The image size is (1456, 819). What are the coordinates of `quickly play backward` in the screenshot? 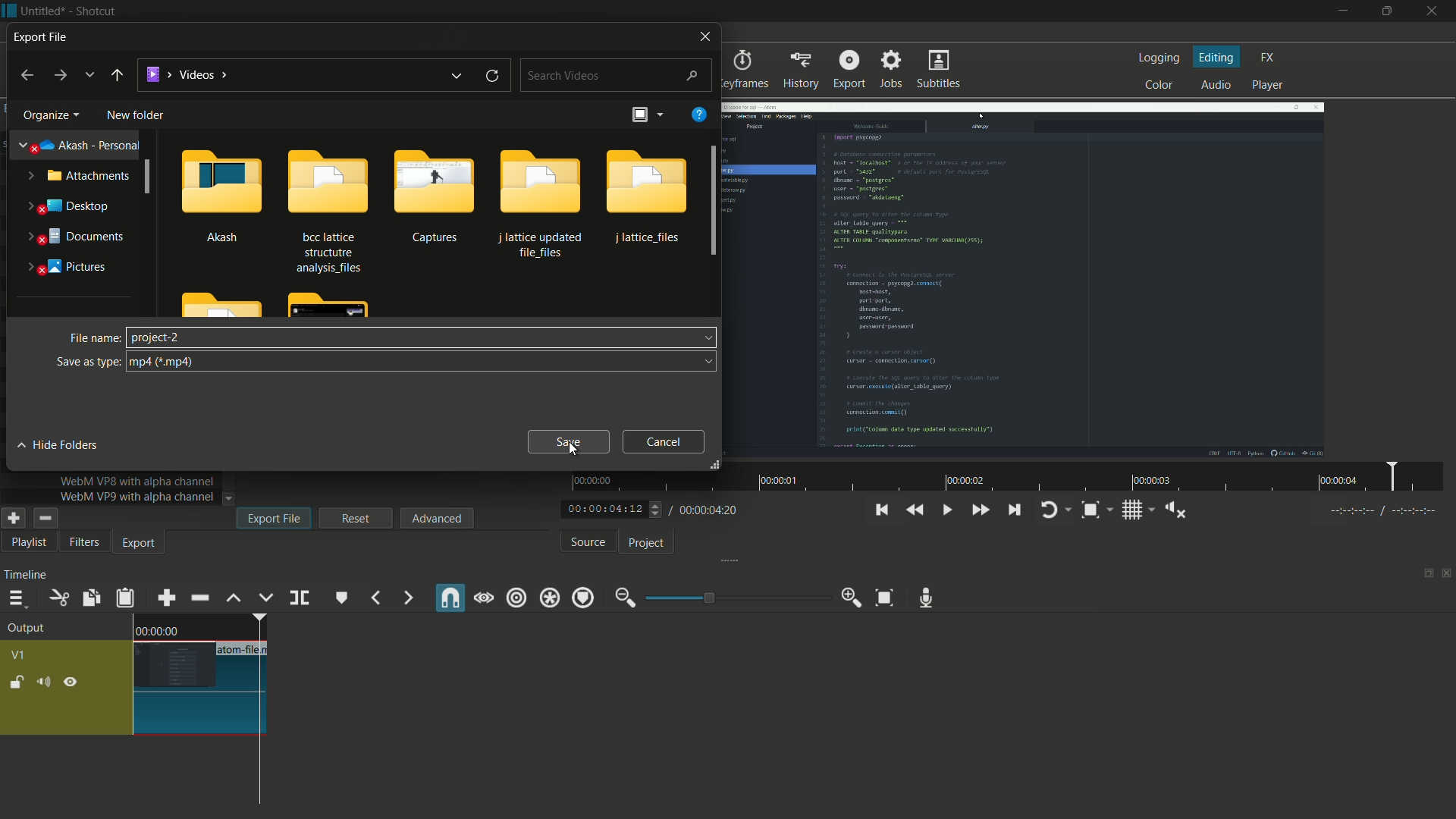 It's located at (916, 508).